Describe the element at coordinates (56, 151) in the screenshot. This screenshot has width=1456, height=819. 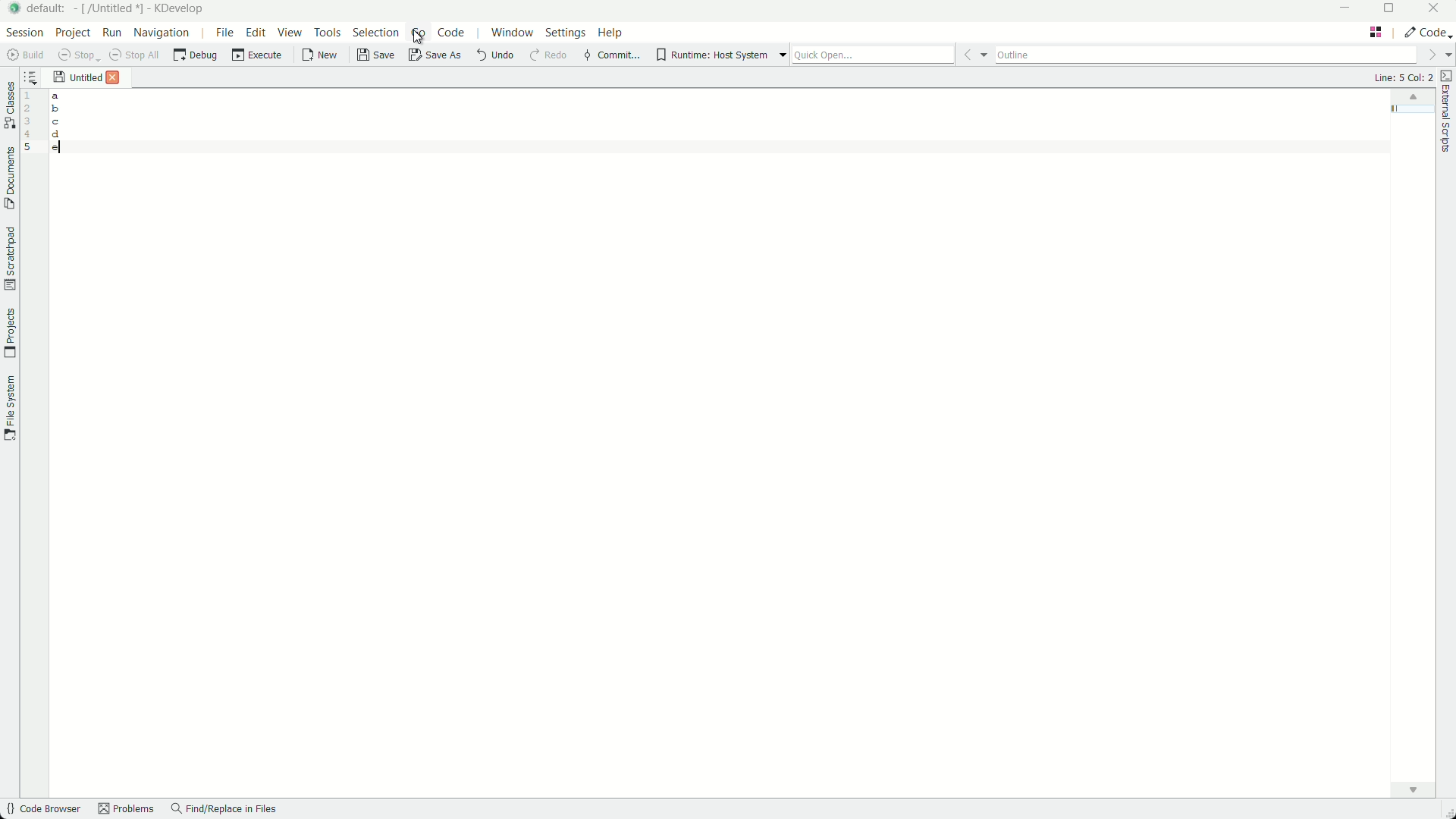
I see `e` at that location.